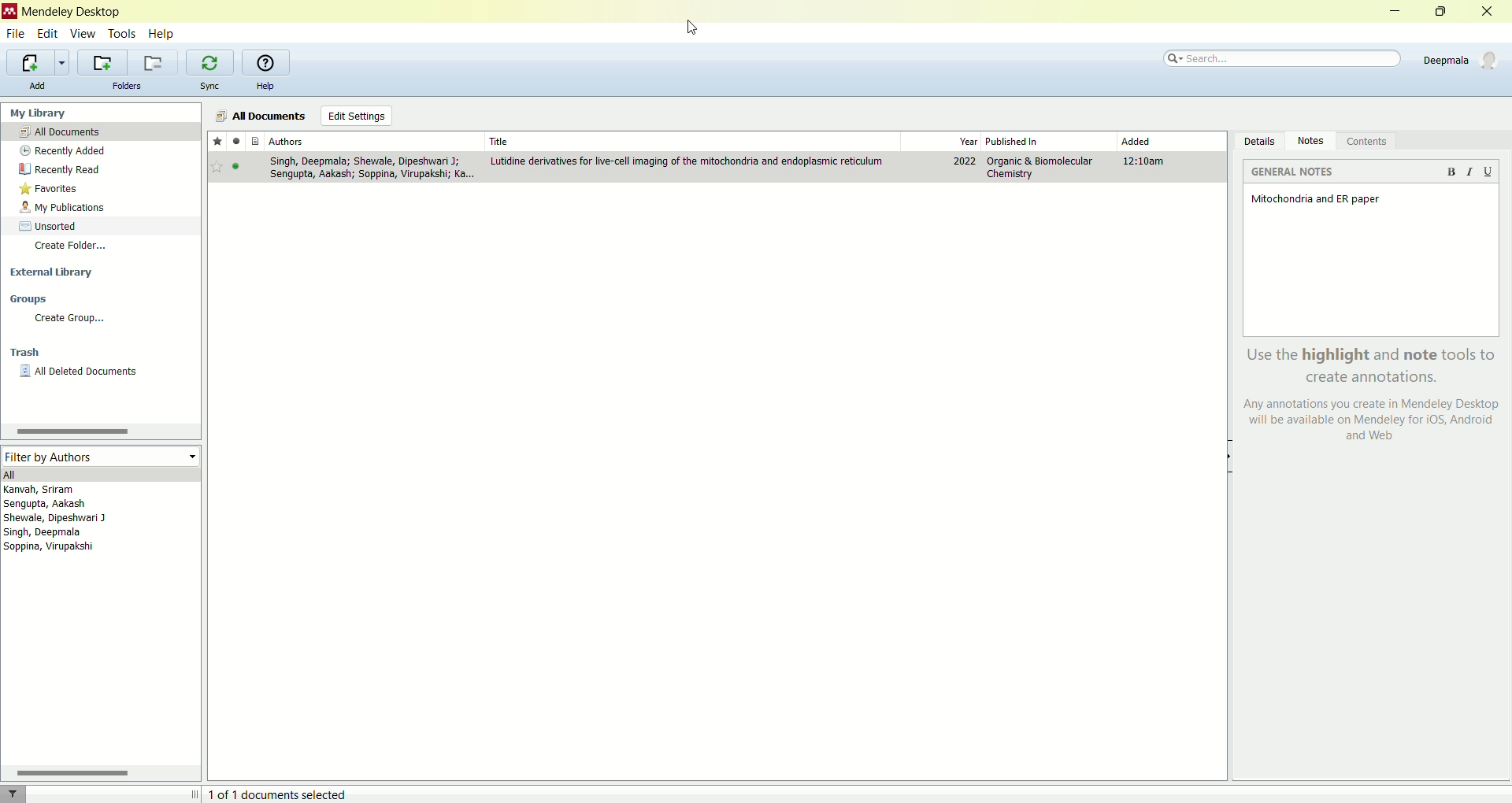  Describe the element at coordinates (369, 168) in the screenshot. I see `Singh, Deepmala; Shewale, Dipeshwari J; Sengupta, Aakash; Soppira, Virupakshi; Ka.` at that location.